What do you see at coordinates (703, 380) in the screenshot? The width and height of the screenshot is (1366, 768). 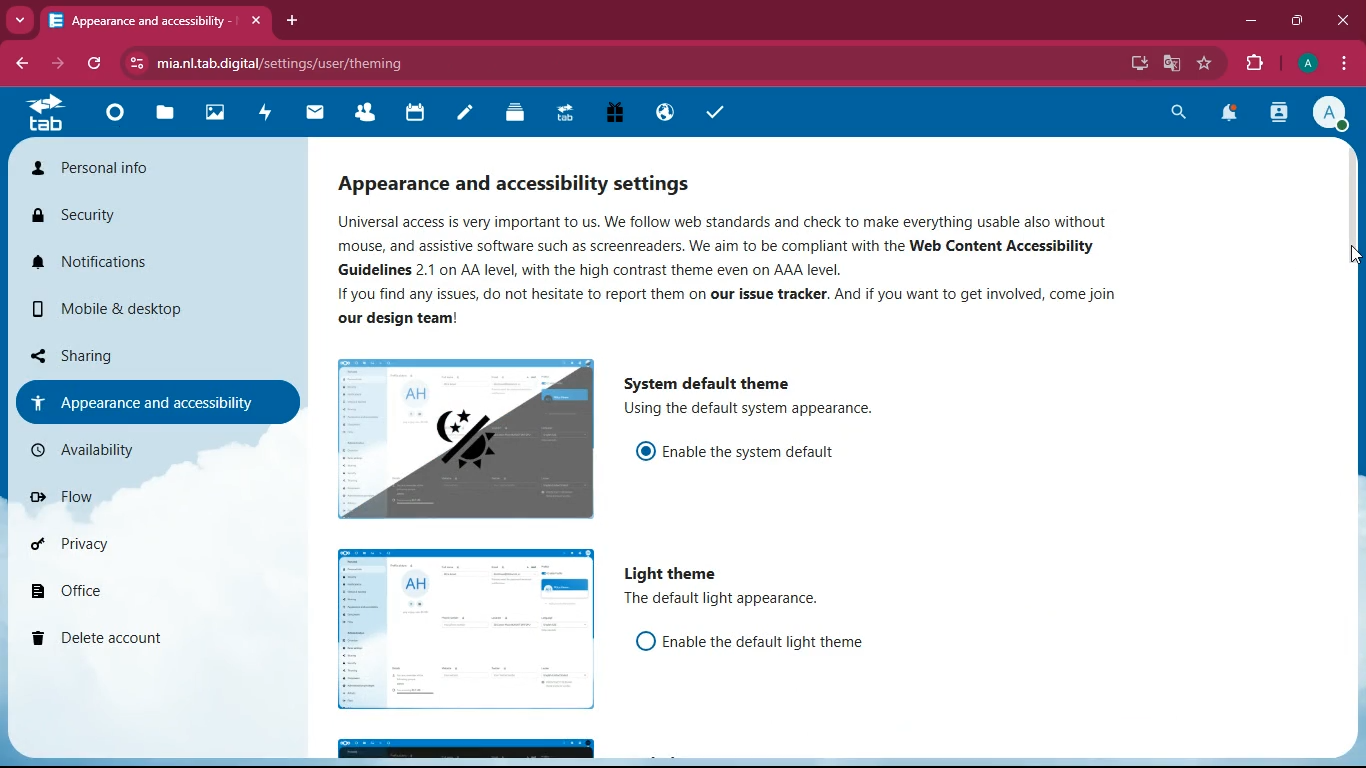 I see `system default` at bounding box center [703, 380].